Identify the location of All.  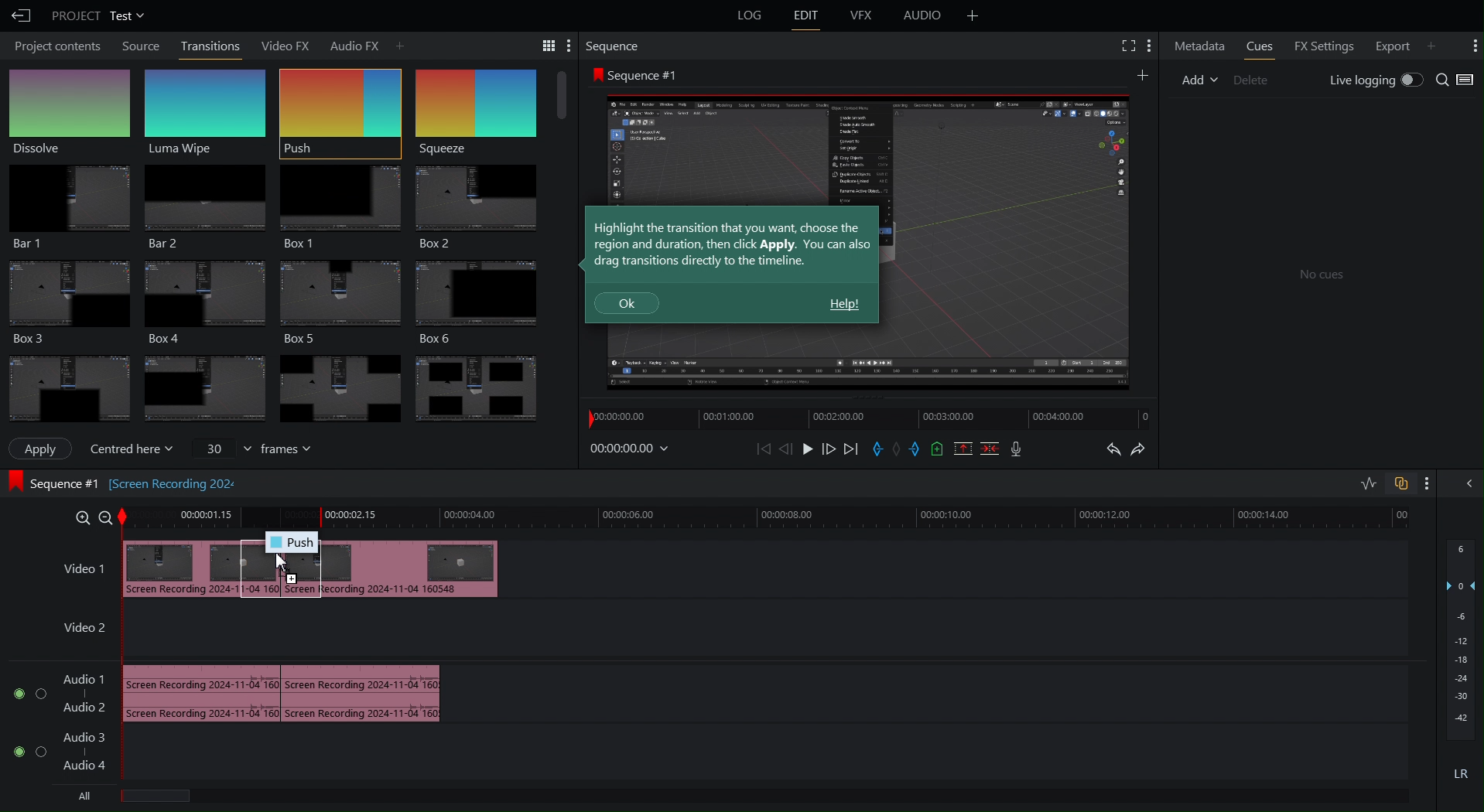
(89, 798).